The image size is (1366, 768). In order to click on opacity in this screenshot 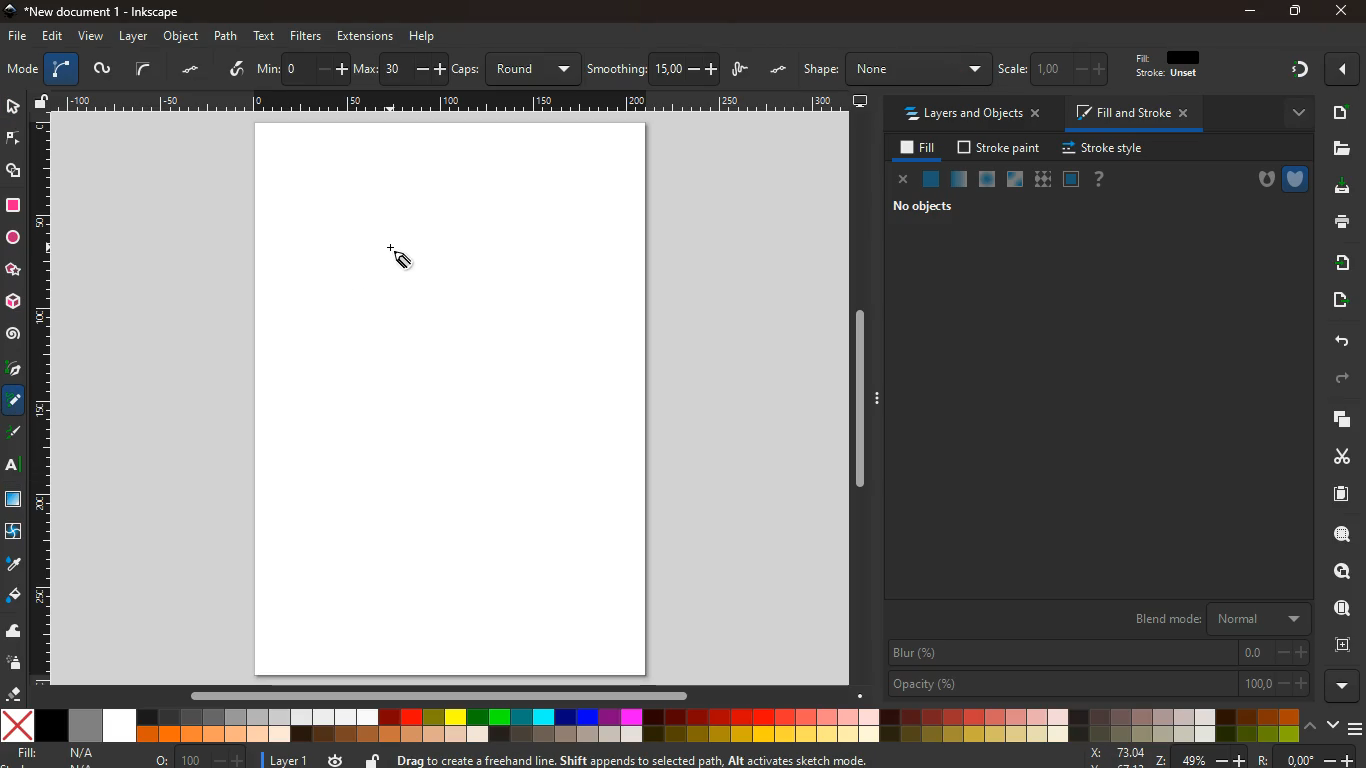, I will do `click(988, 180)`.